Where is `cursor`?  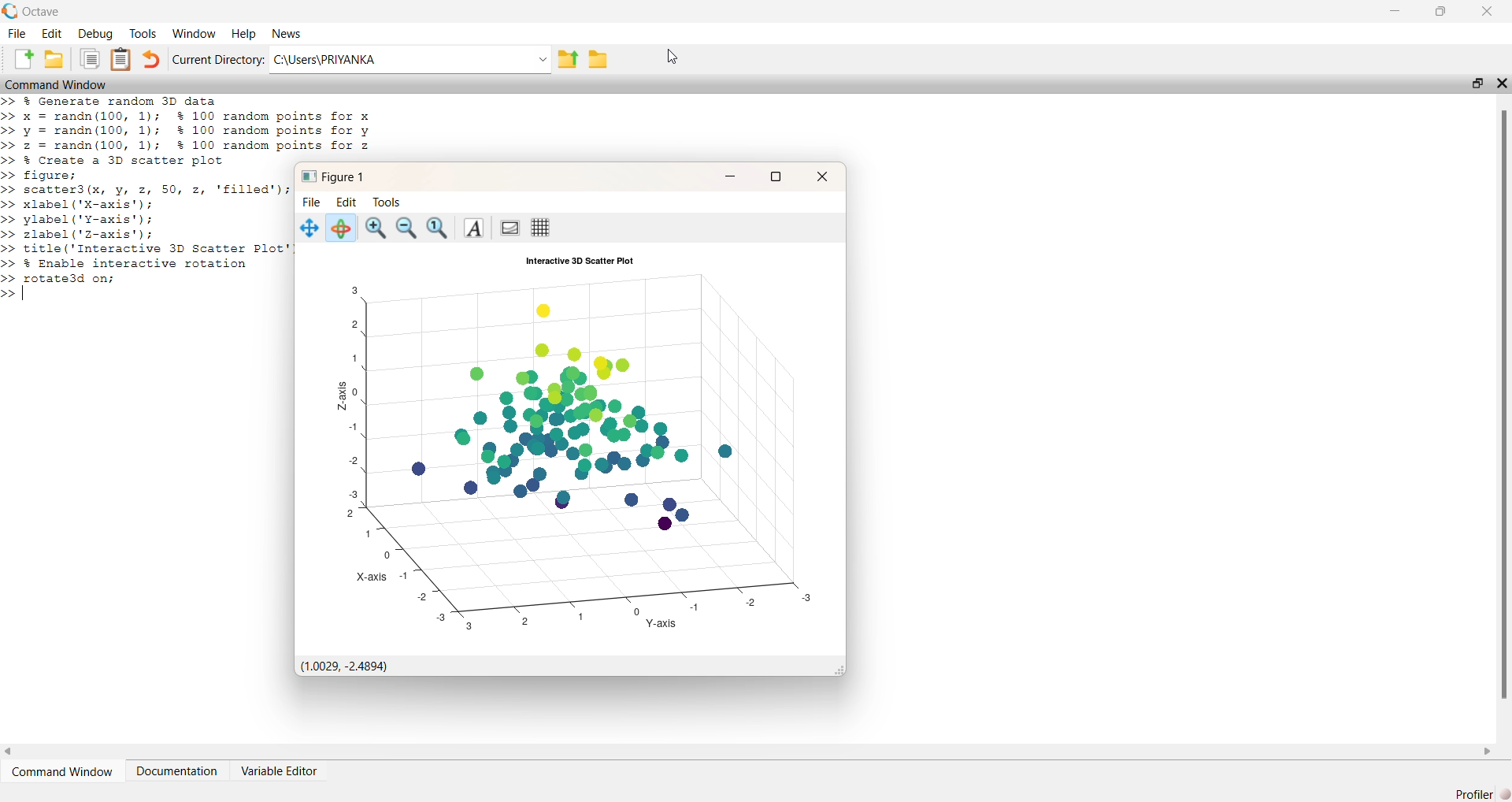
cursor is located at coordinates (673, 57).